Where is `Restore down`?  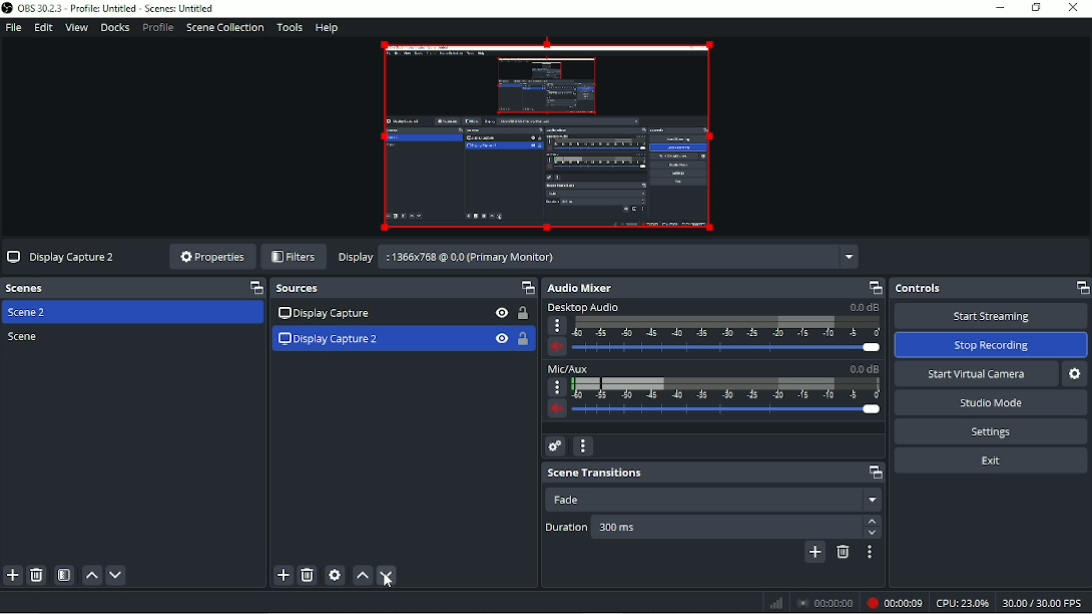
Restore down is located at coordinates (1037, 8).